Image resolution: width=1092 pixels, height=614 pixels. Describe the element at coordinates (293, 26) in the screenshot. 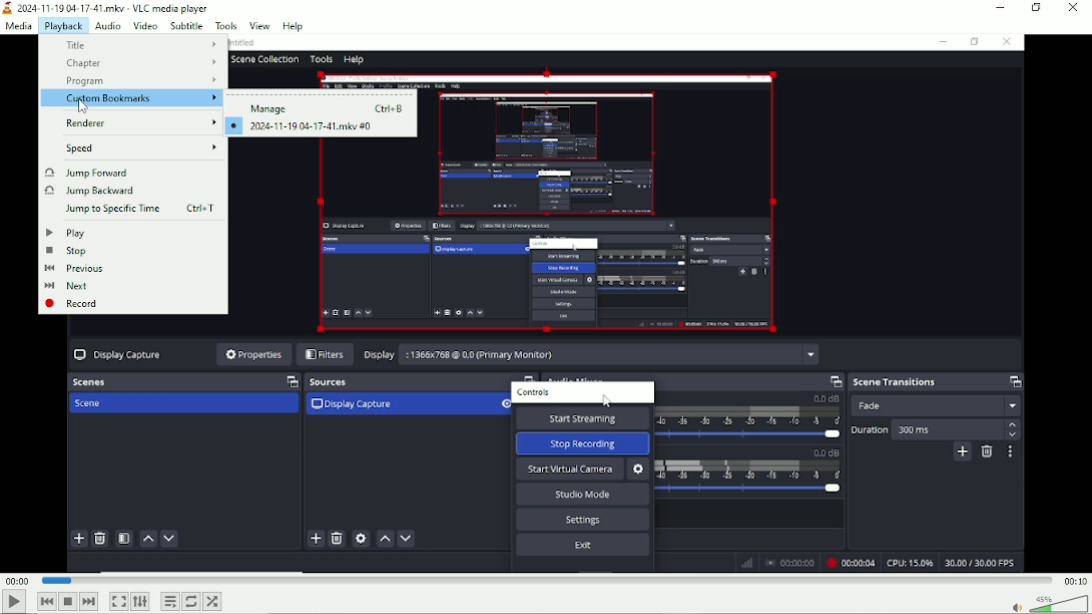

I see `Help` at that location.